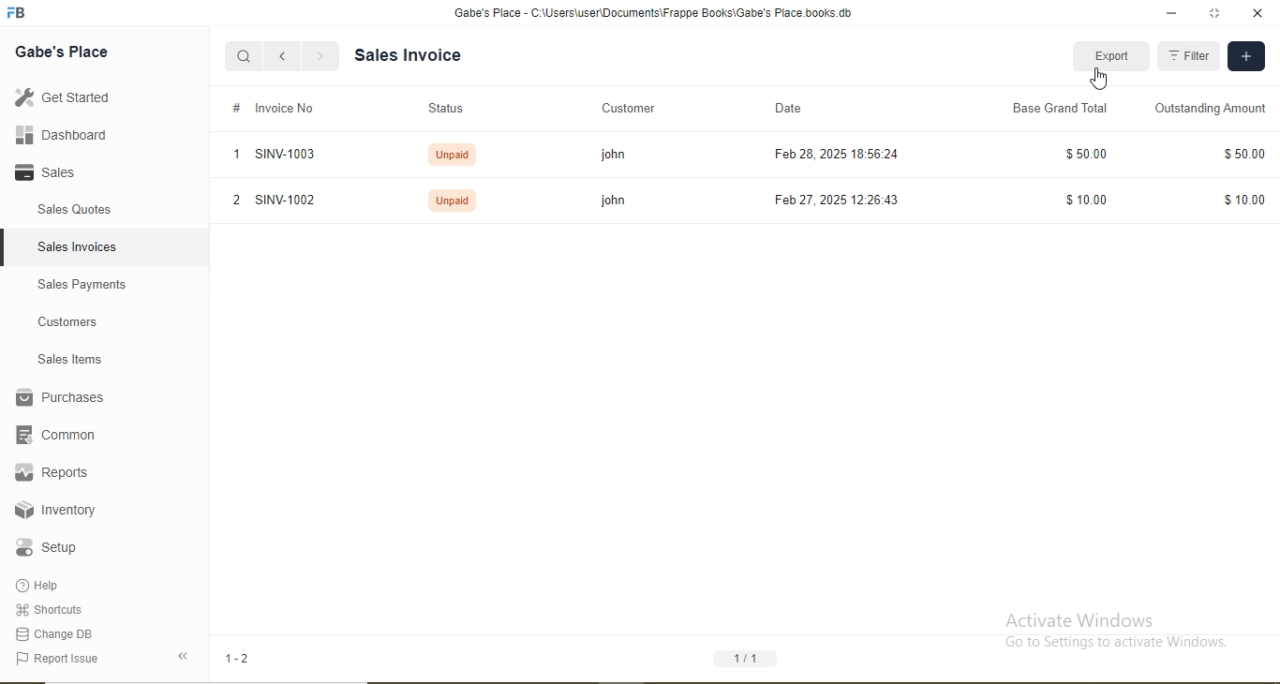  Describe the element at coordinates (450, 155) in the screenshot. I see `Unpaid` at that location.